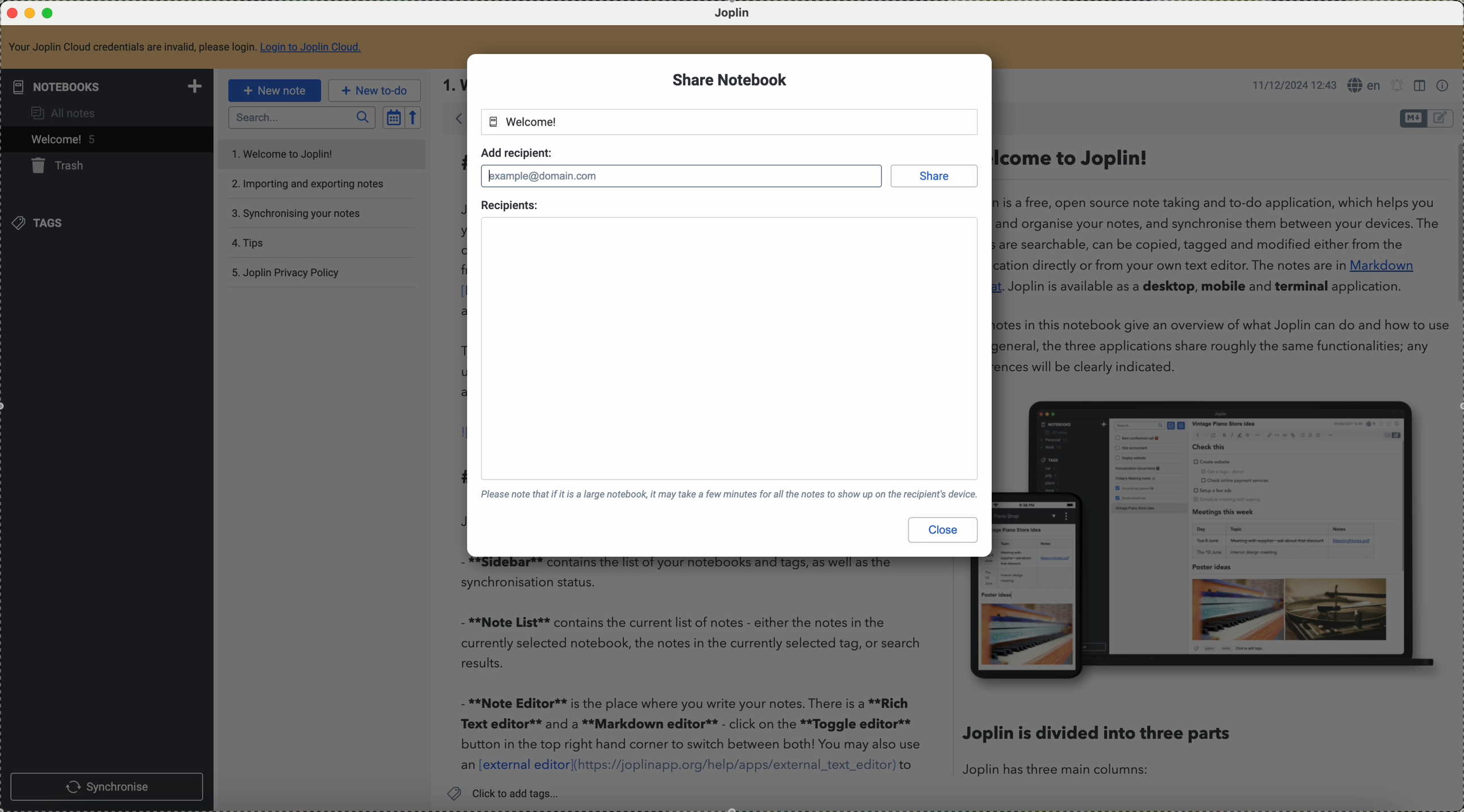 The height and width of the screenshot is (812, 1464). Describe the element at coordinates (30, 14) in the screenshot. I see `minimize Joplin` at that location.